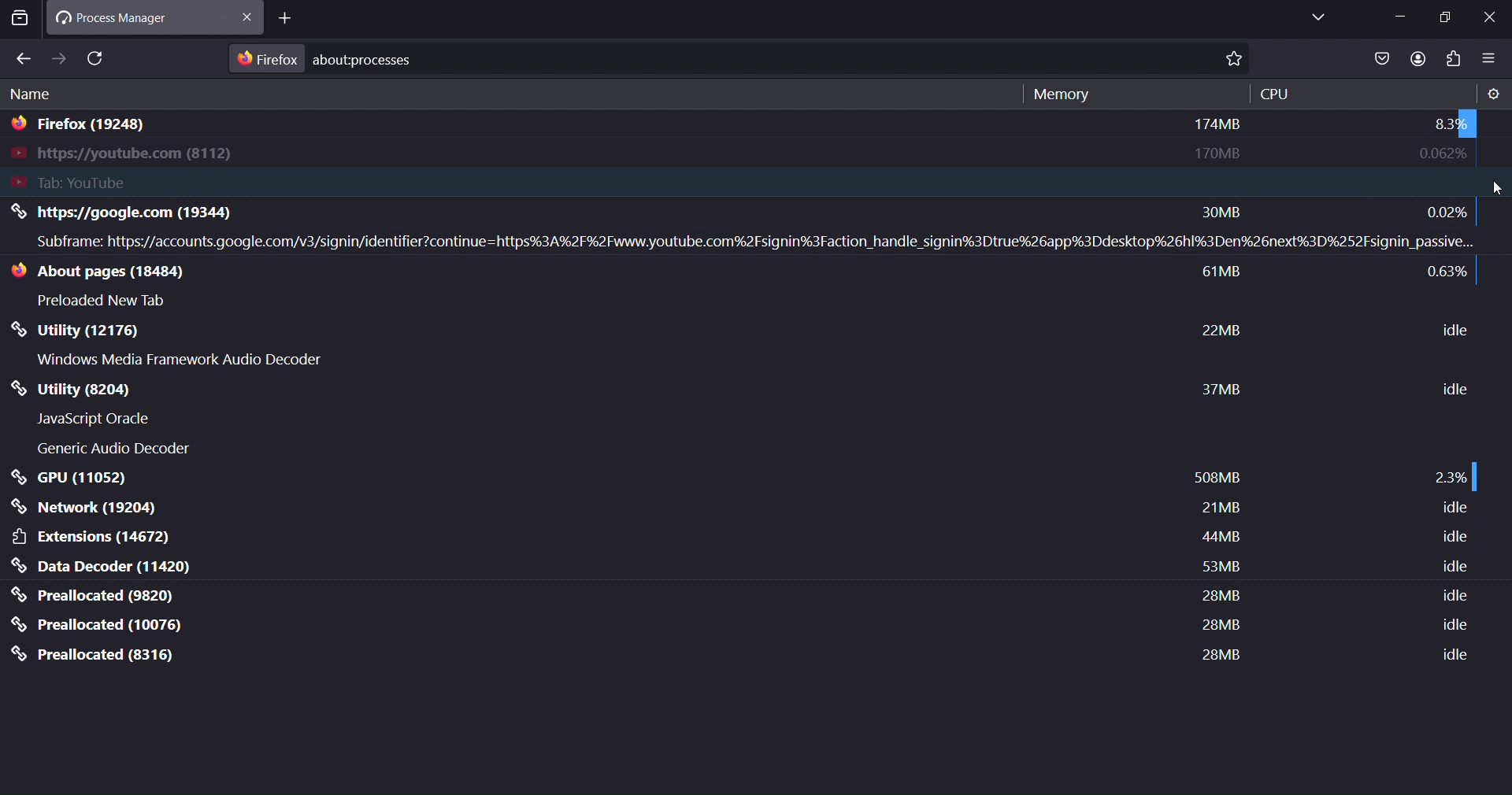  What do you see at coordinates (1455, 594) in the screenshot?
I see `idle` at bounding box center [1455, 594].